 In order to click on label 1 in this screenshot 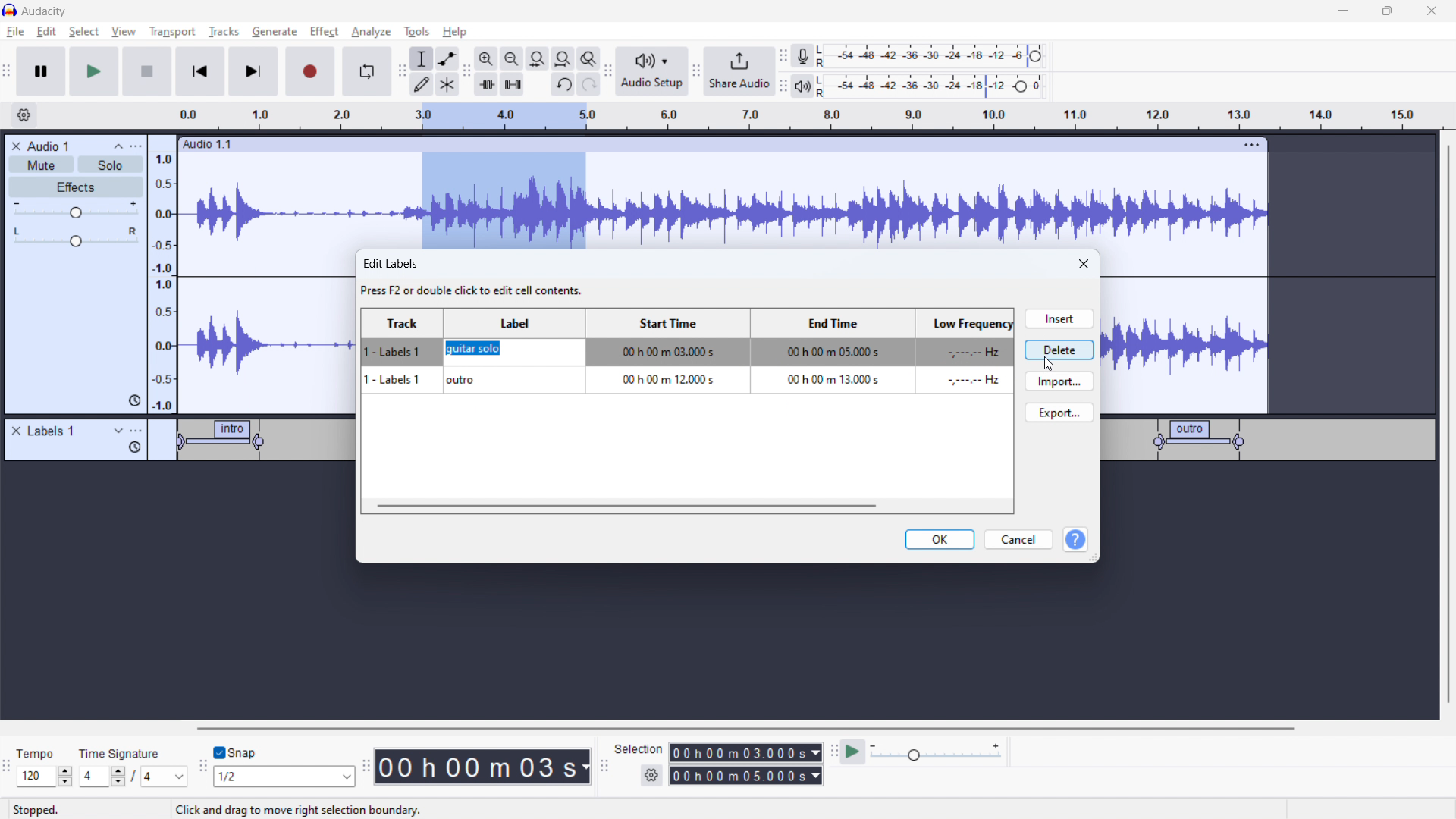, I will do `click(224, 442)`.